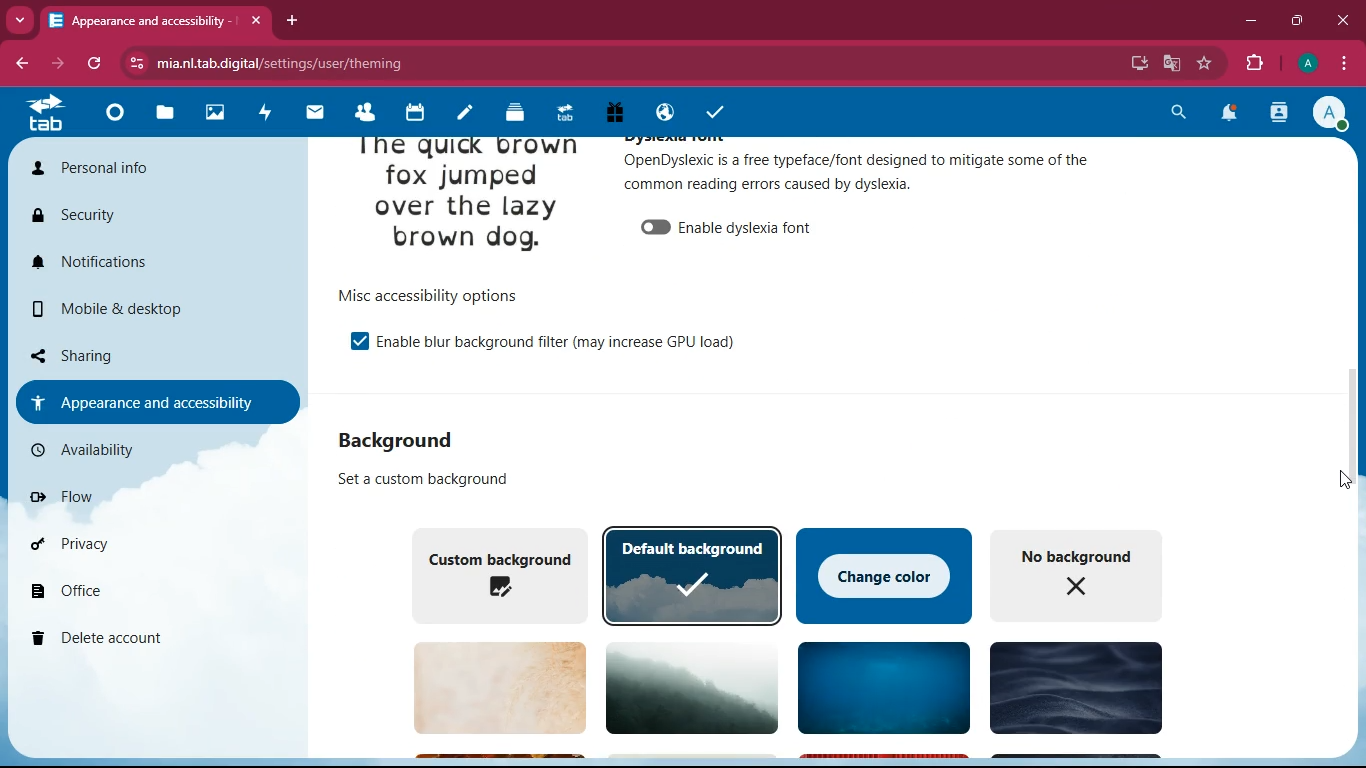 The image size is (1366, 768). I want to click on background, so click(1072, 691).